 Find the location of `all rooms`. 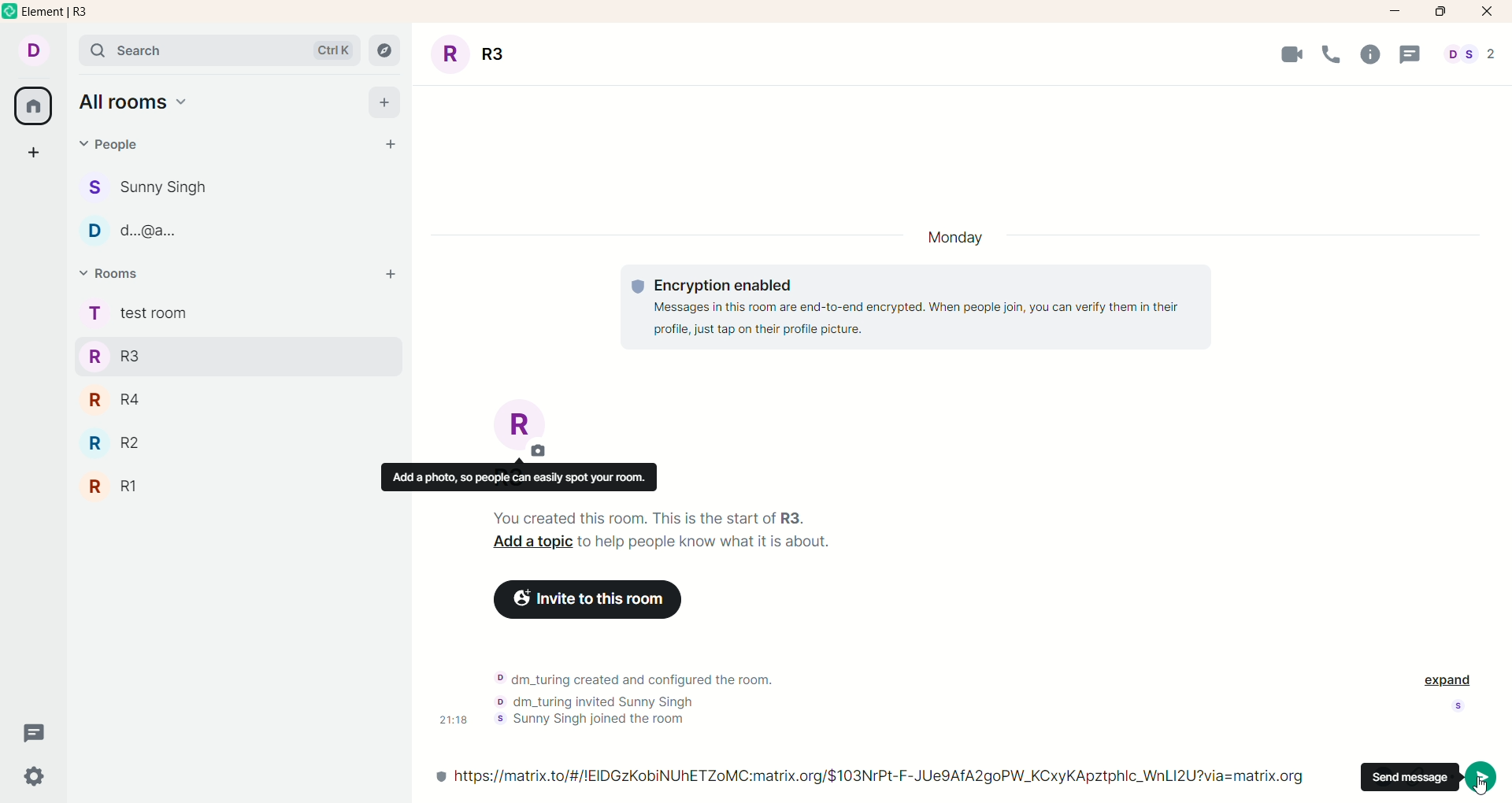

all rooms is located at coordinates (146, 105).